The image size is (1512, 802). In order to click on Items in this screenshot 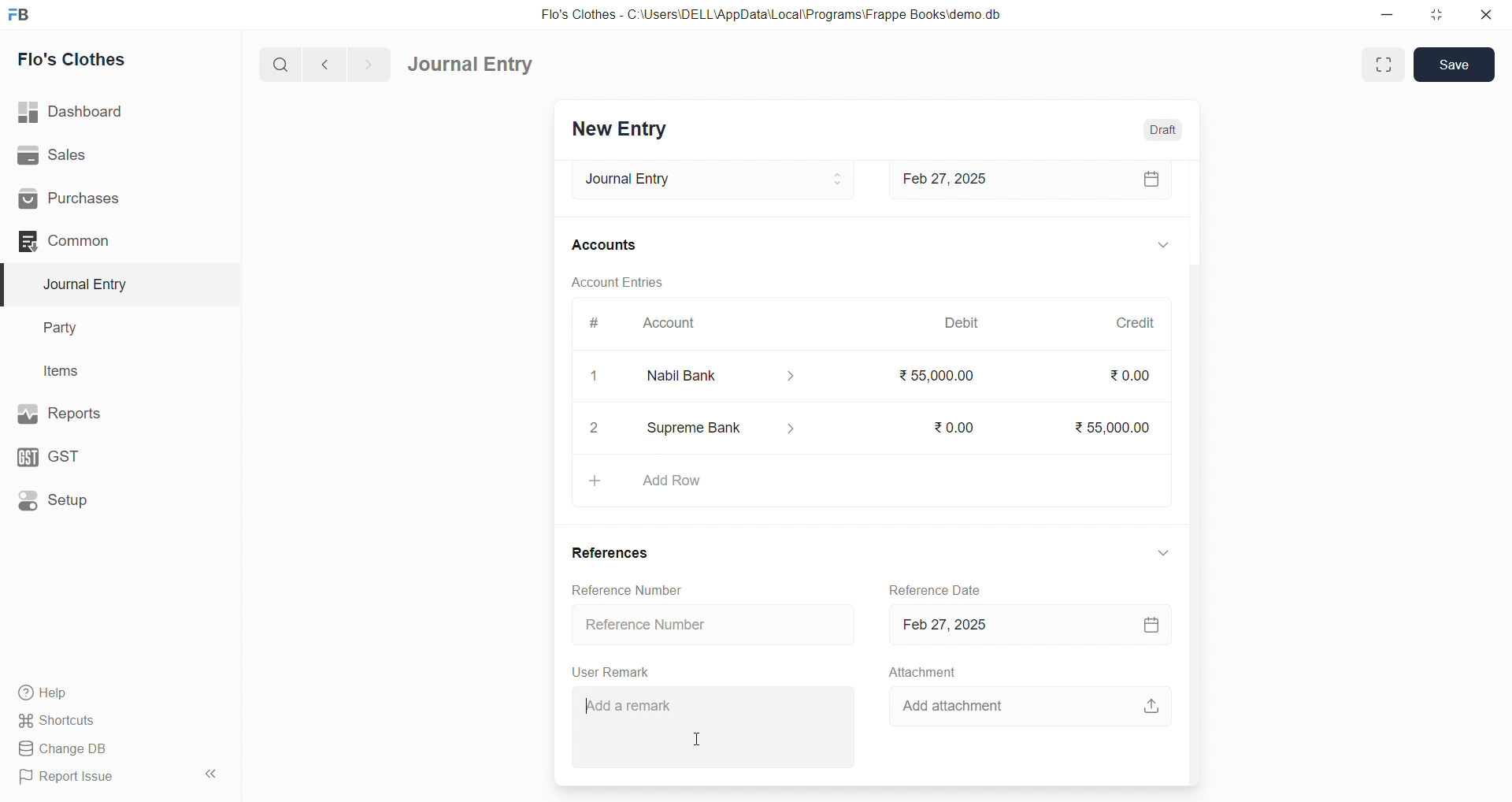, I will do `click(67, 370)`.